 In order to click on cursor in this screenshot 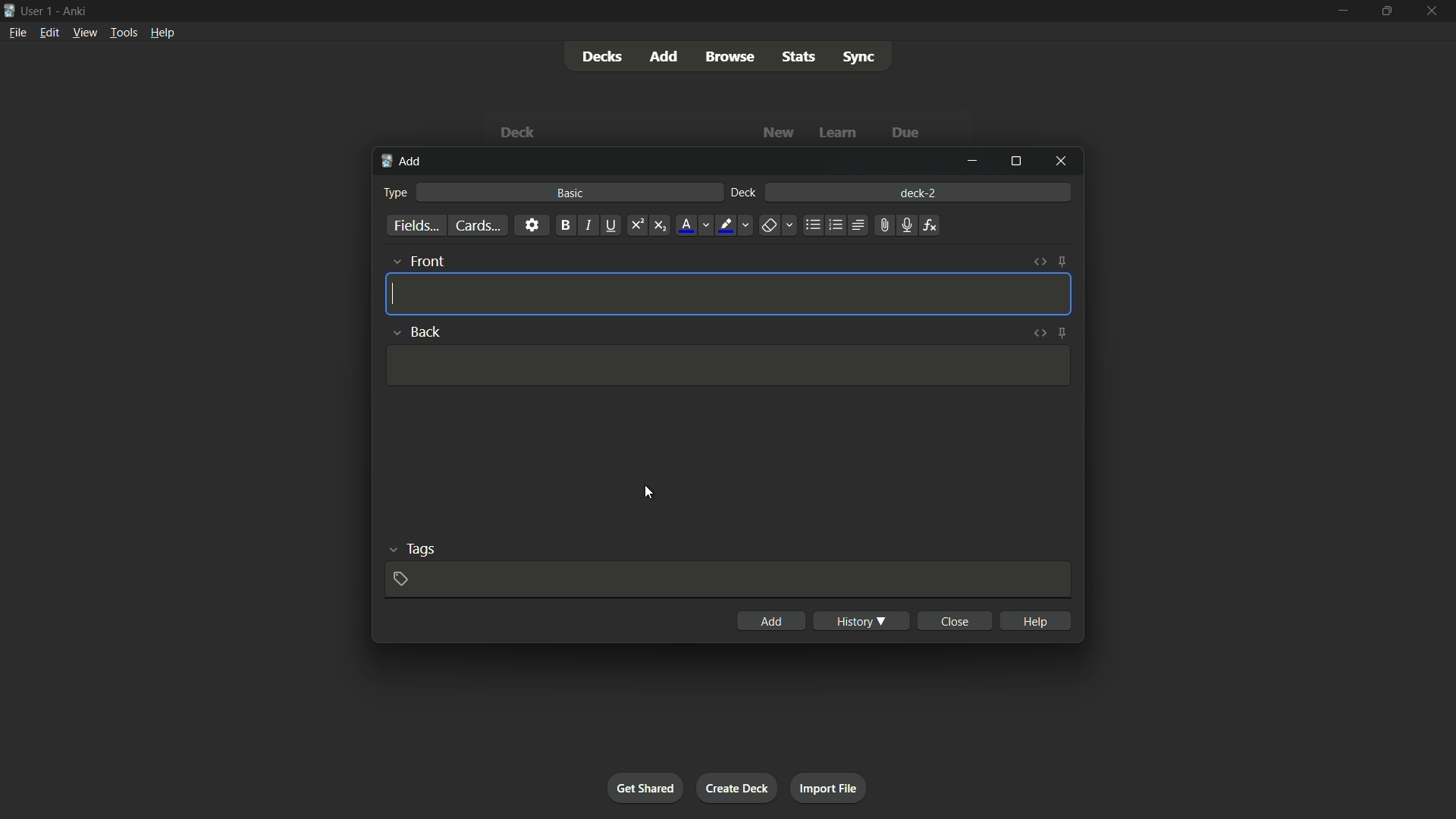, I will do `click(395, 297)`.